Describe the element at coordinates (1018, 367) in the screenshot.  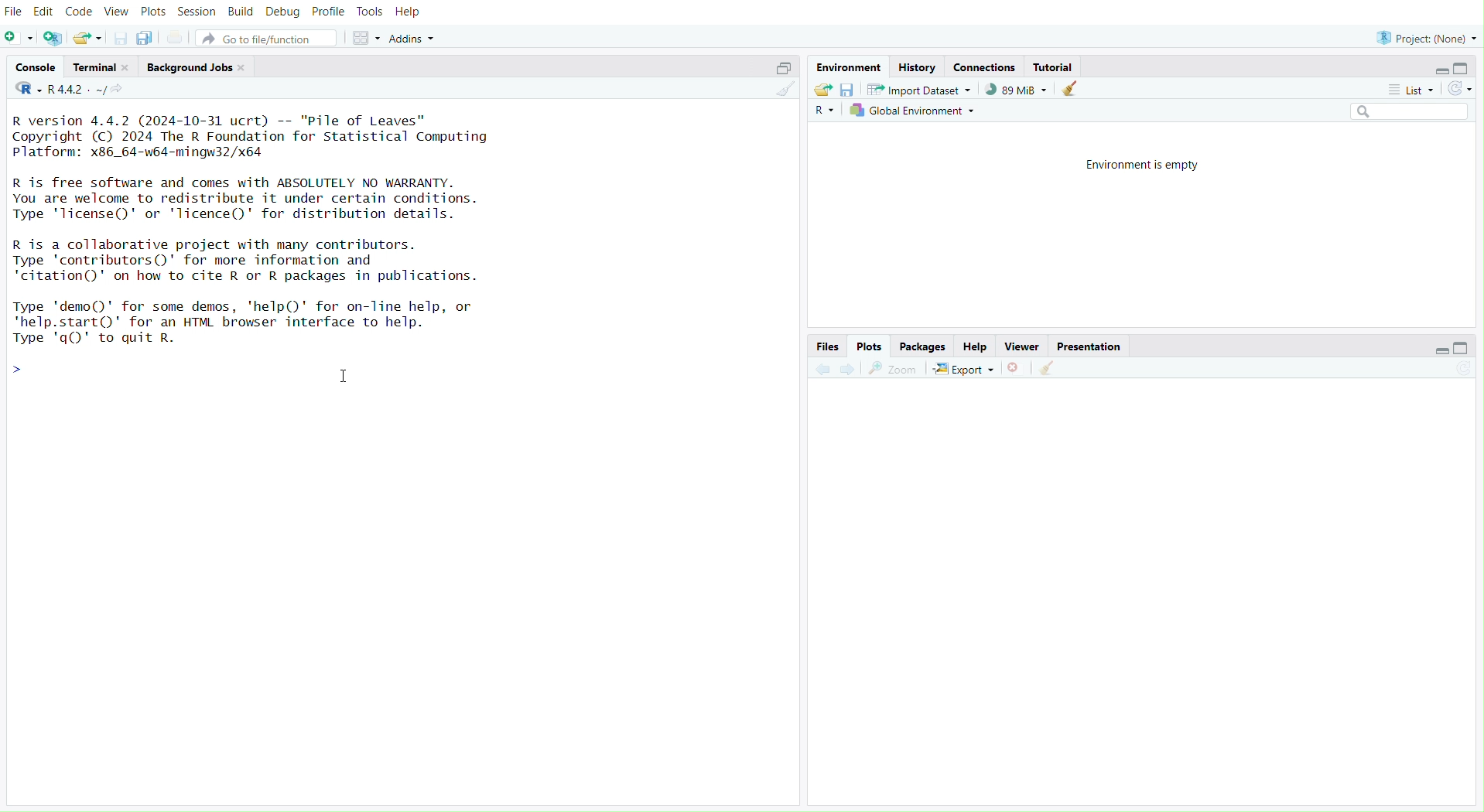
I see `Close` at that location.